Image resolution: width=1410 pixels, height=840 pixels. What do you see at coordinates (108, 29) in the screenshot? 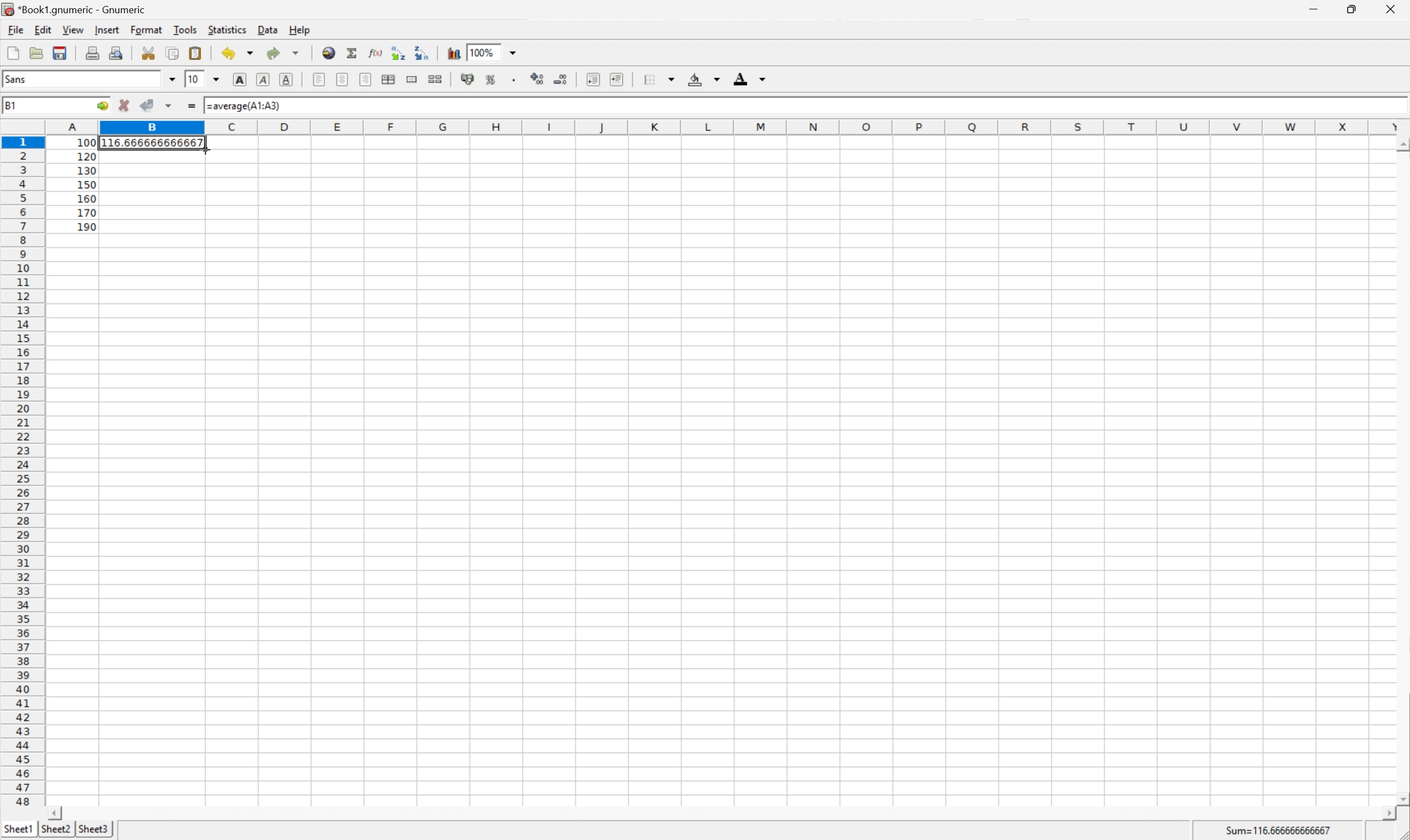
I see `Insert` at bounding box center [108, 29].